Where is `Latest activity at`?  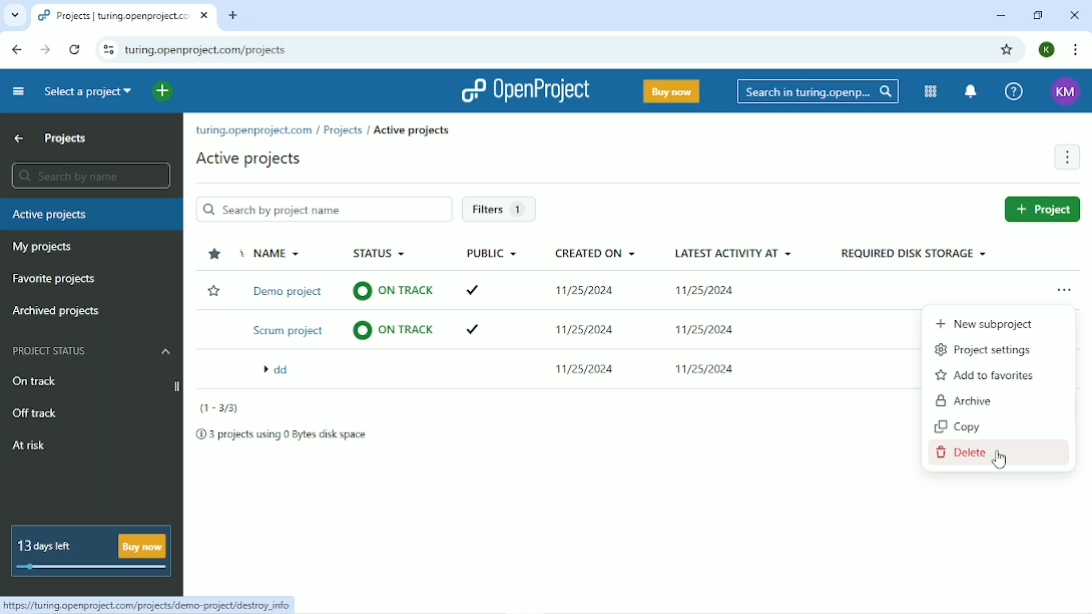 Latest activity at is located at coordinates (734, 253).